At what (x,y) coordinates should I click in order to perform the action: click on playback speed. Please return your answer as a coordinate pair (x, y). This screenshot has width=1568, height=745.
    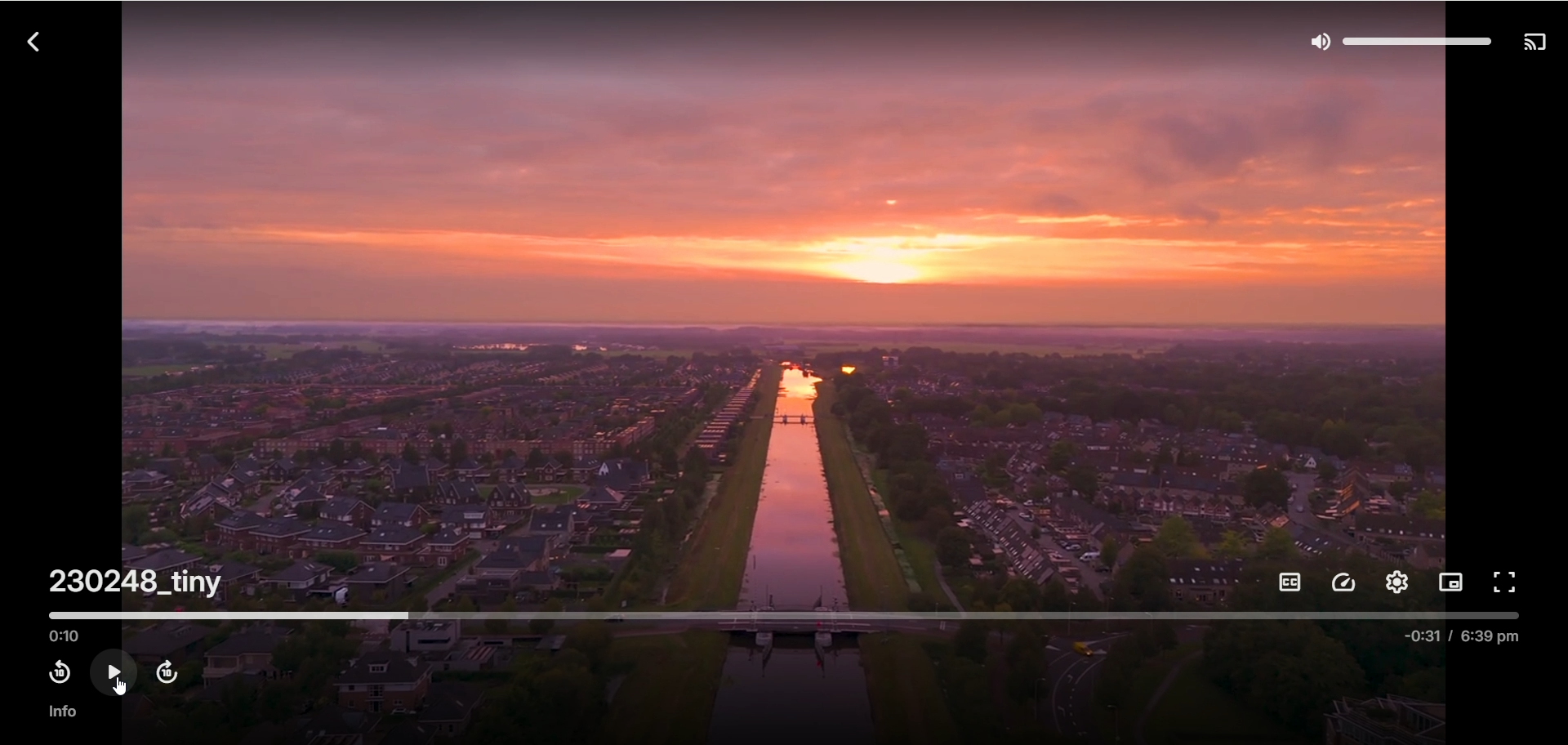
    Looking at the image, I should click on (1345, 582).